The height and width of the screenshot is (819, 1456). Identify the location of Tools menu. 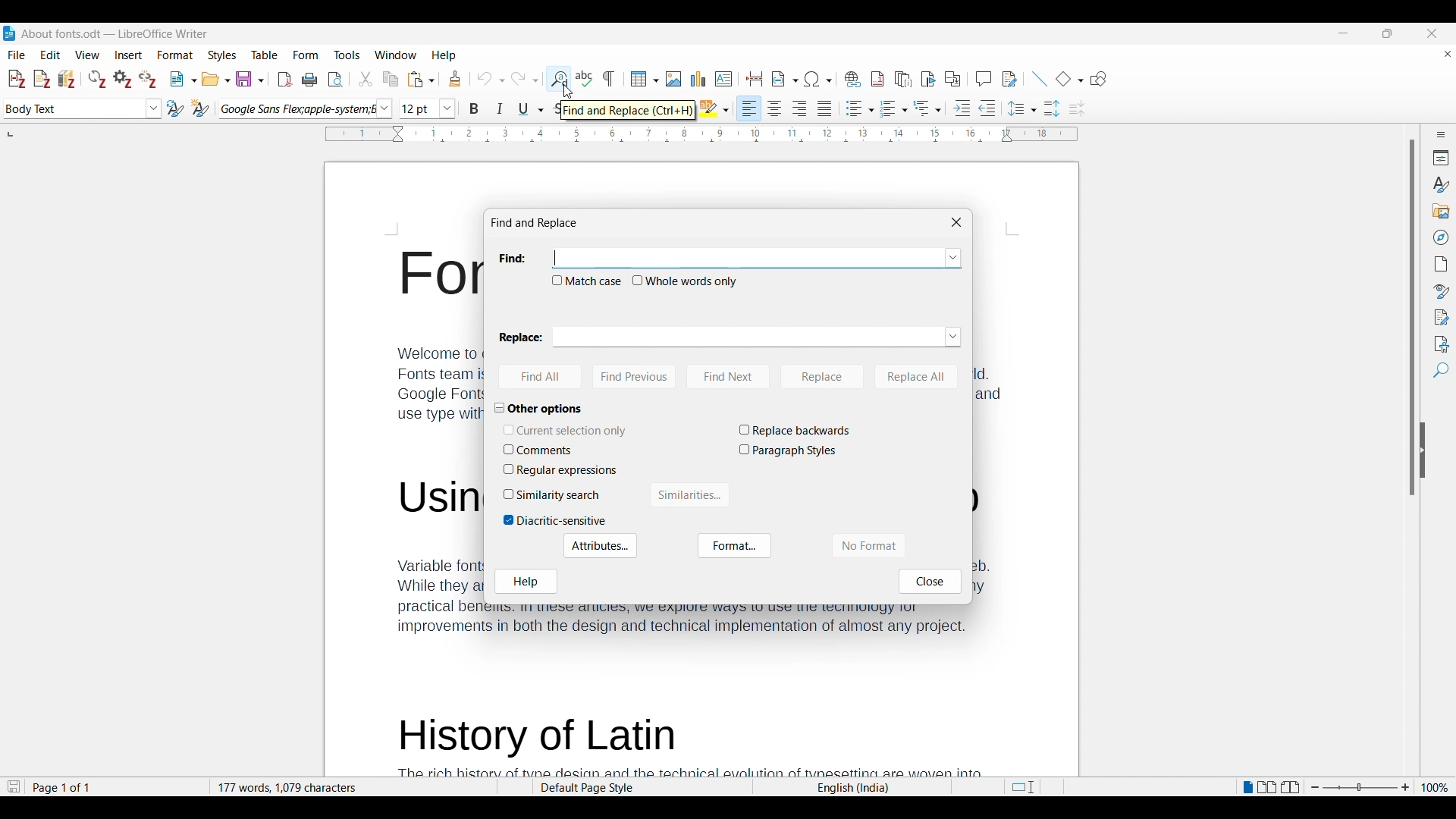
(347, 55).